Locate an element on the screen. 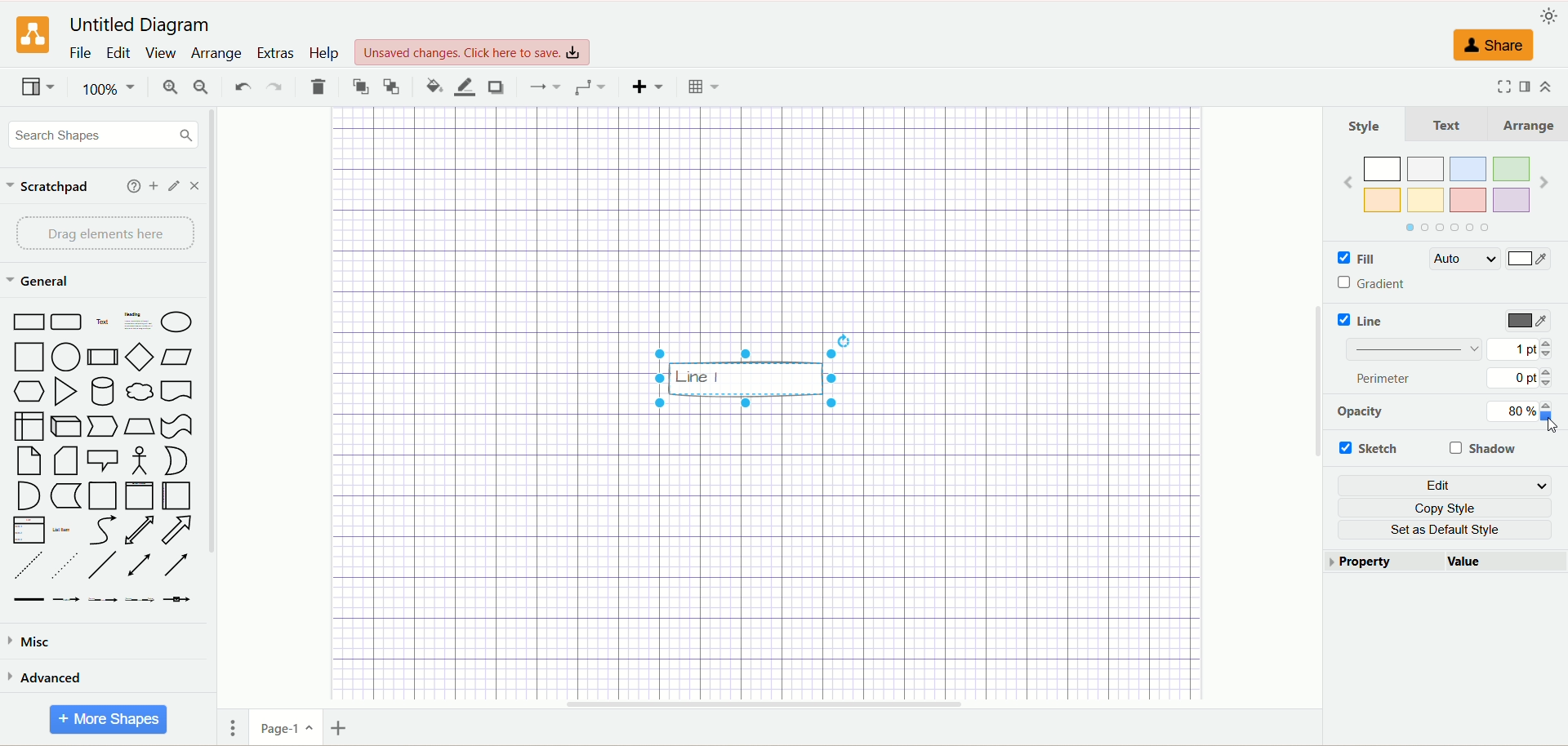  Ellipse is located at coordinates (175, 319).